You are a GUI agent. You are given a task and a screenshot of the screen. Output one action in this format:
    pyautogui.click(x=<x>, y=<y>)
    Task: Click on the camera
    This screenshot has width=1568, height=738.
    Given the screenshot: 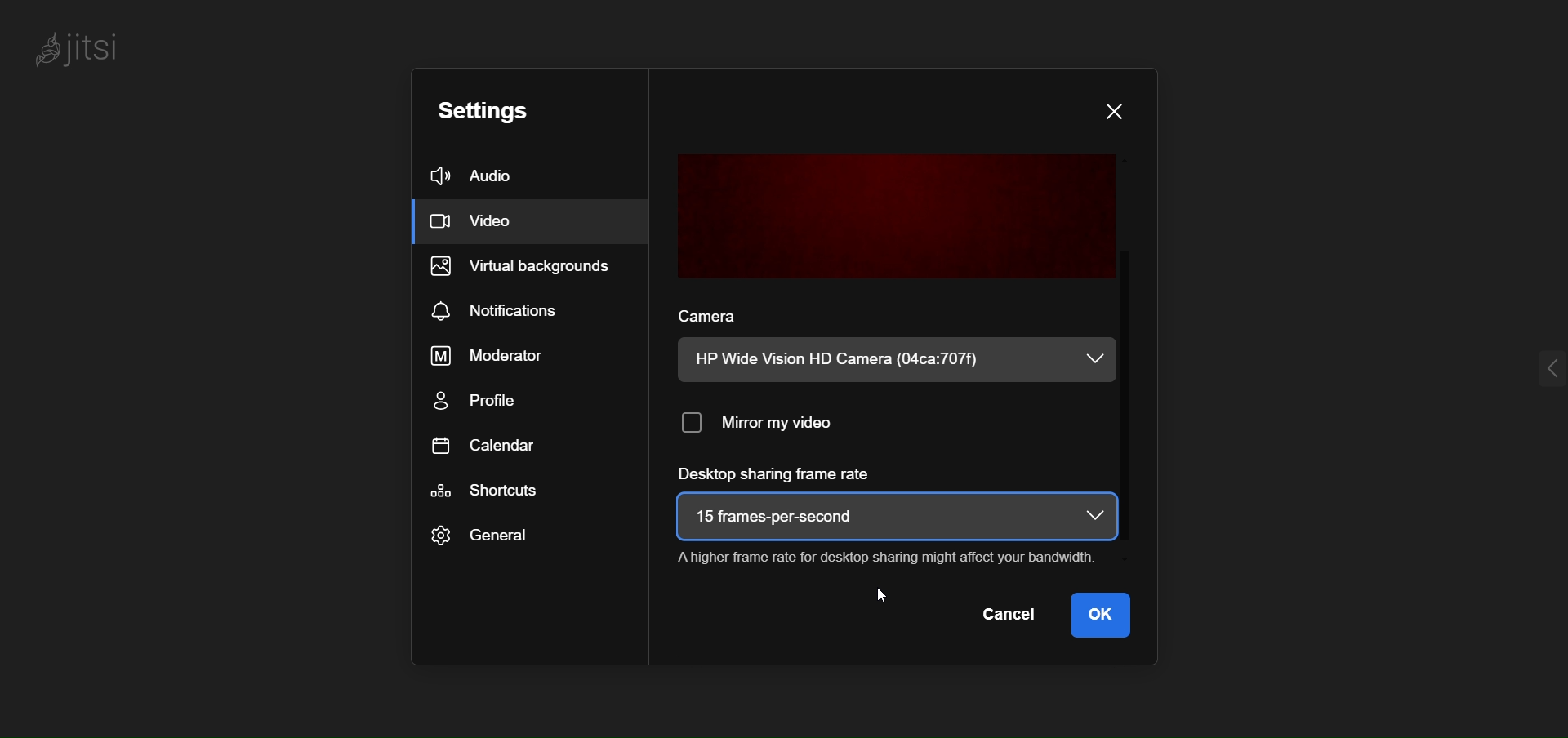 What is the action you would take?
    pyautogui.click(x=709, y=312)
    